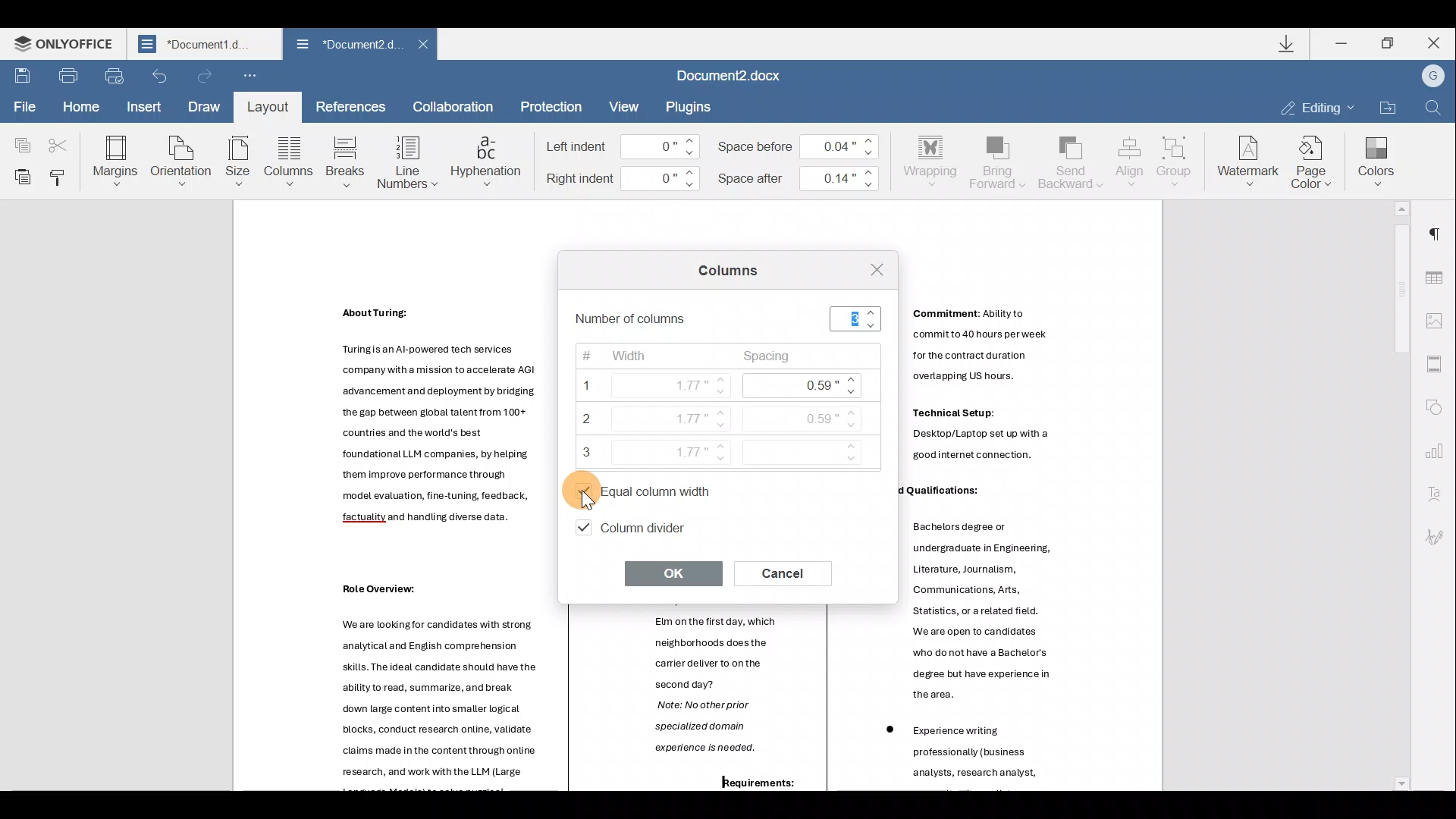  Describe the element at coordinates (1441, 452) in the screenshot. I see `Chart settings` at that location.